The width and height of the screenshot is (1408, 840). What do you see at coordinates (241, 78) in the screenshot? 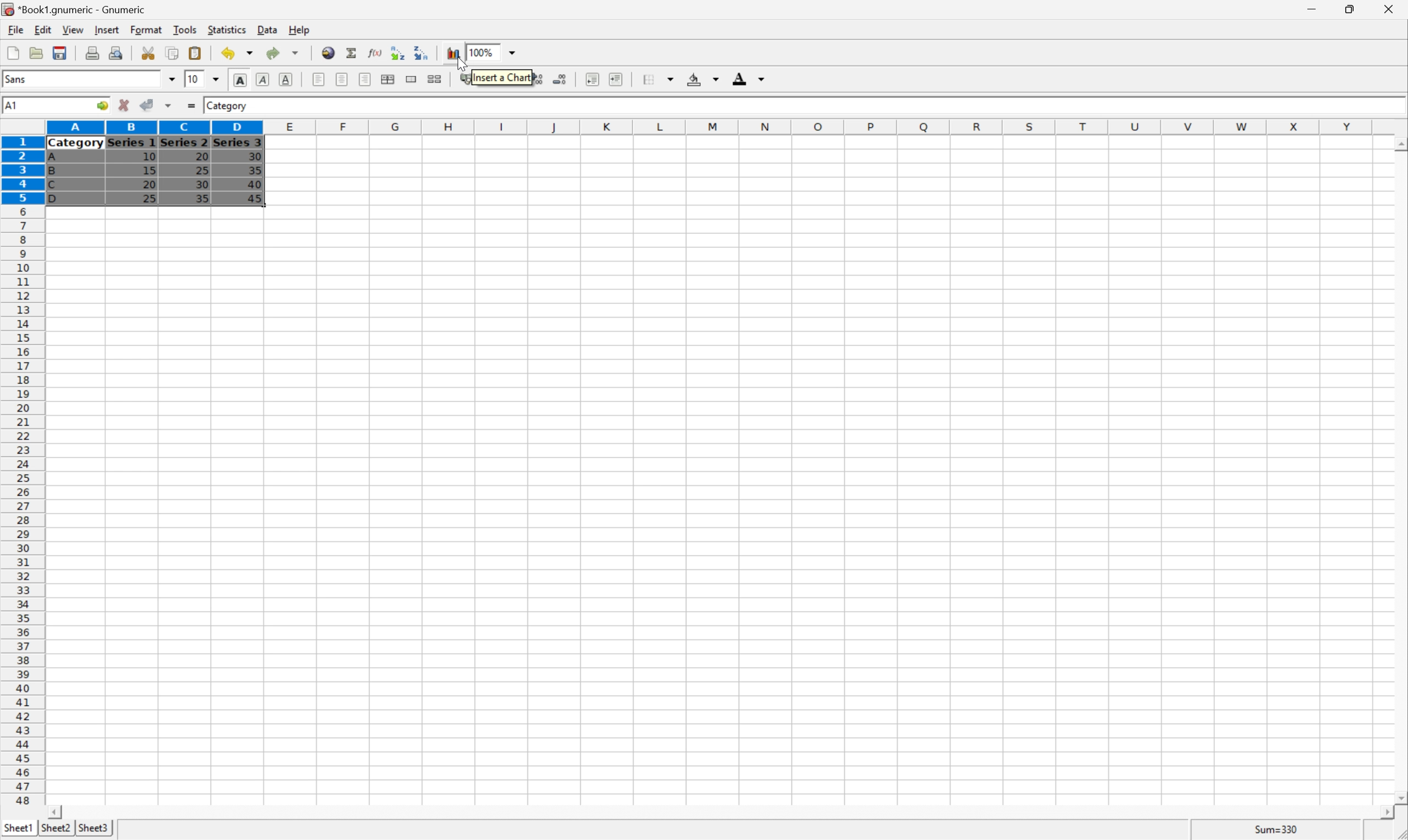
I see `Bold` at bounding box center [241, 78].